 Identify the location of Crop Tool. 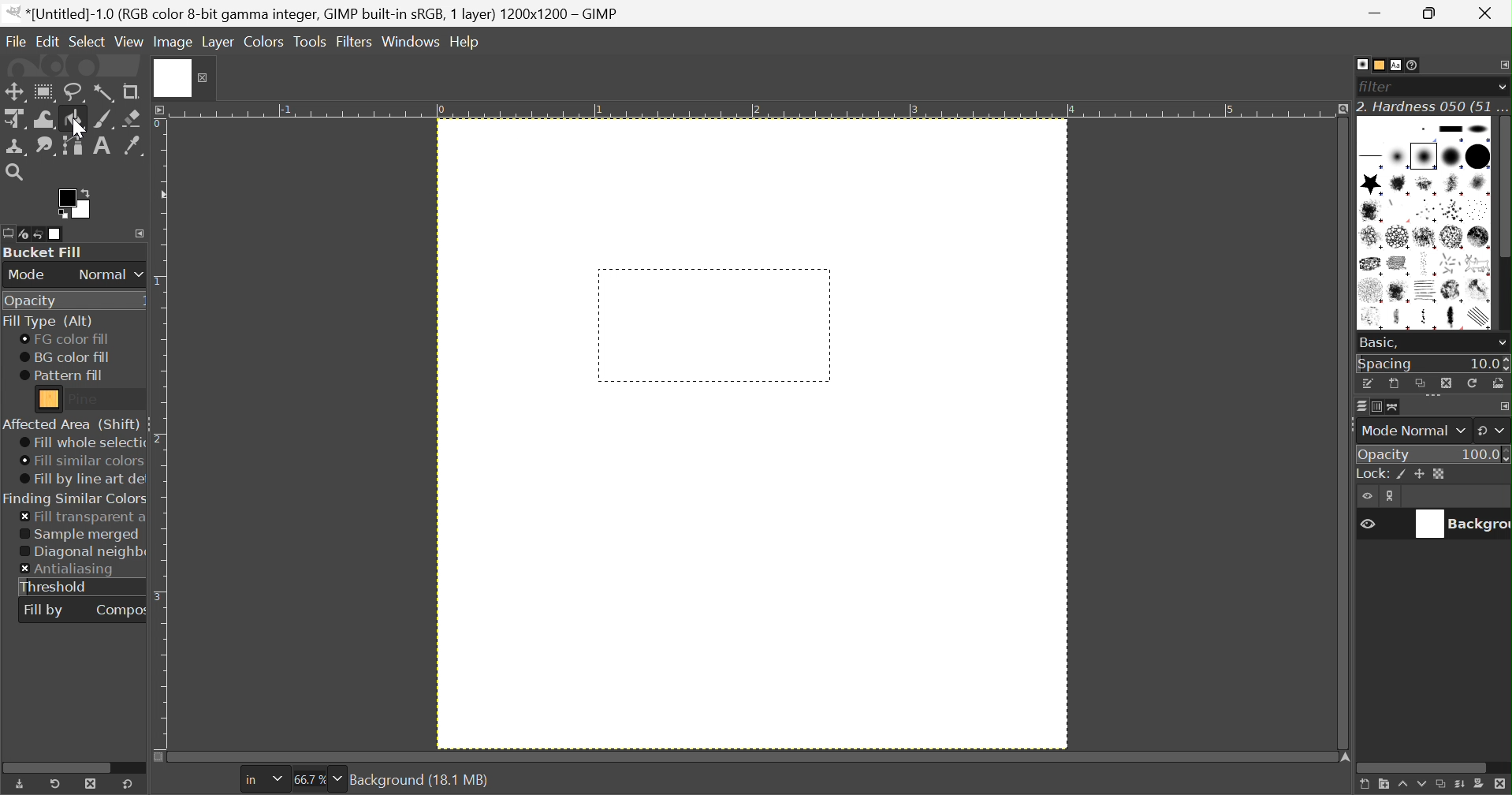
(131, 92).